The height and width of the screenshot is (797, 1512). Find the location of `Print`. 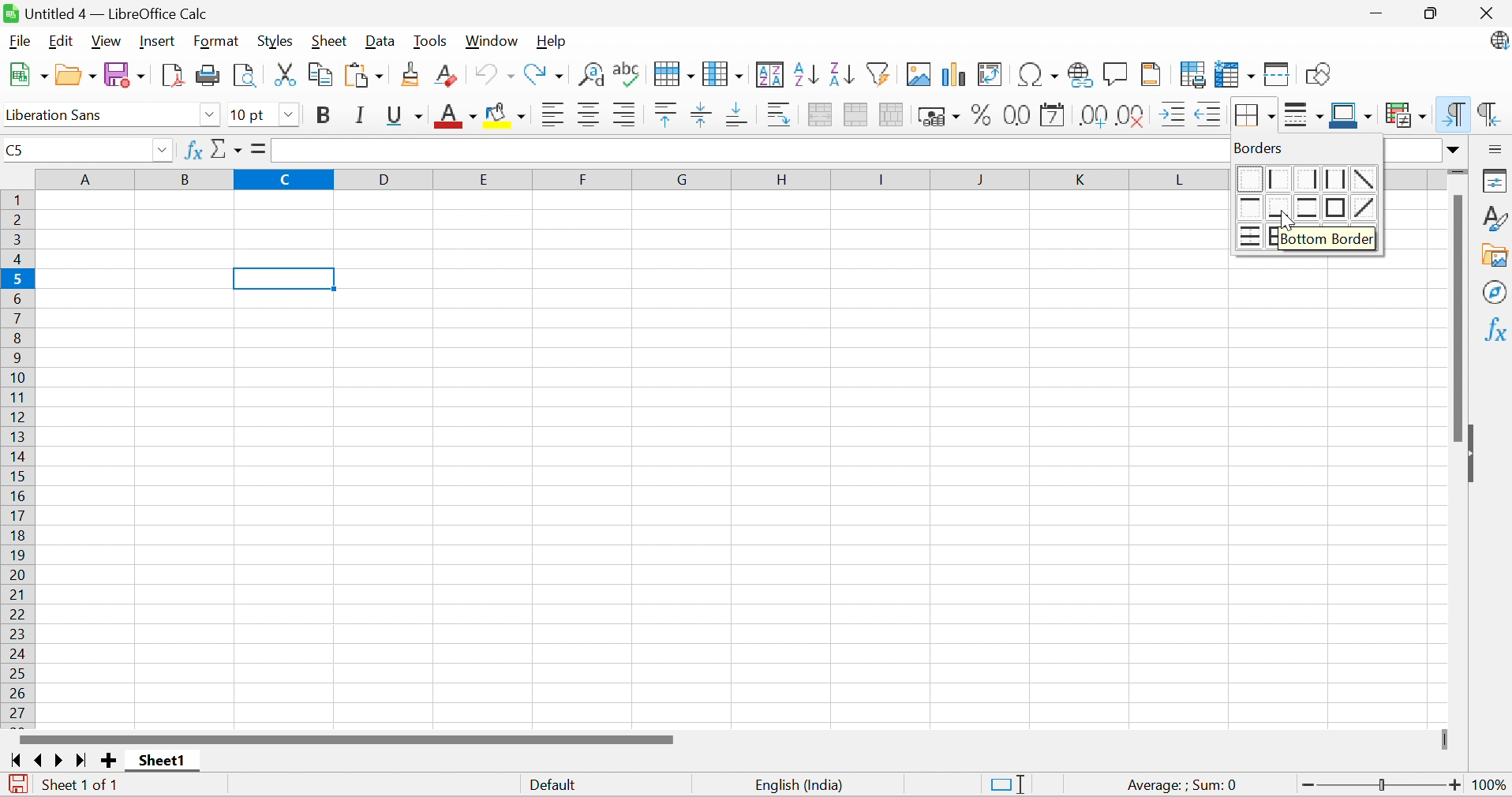

Print is located at coordinates (209, 75).